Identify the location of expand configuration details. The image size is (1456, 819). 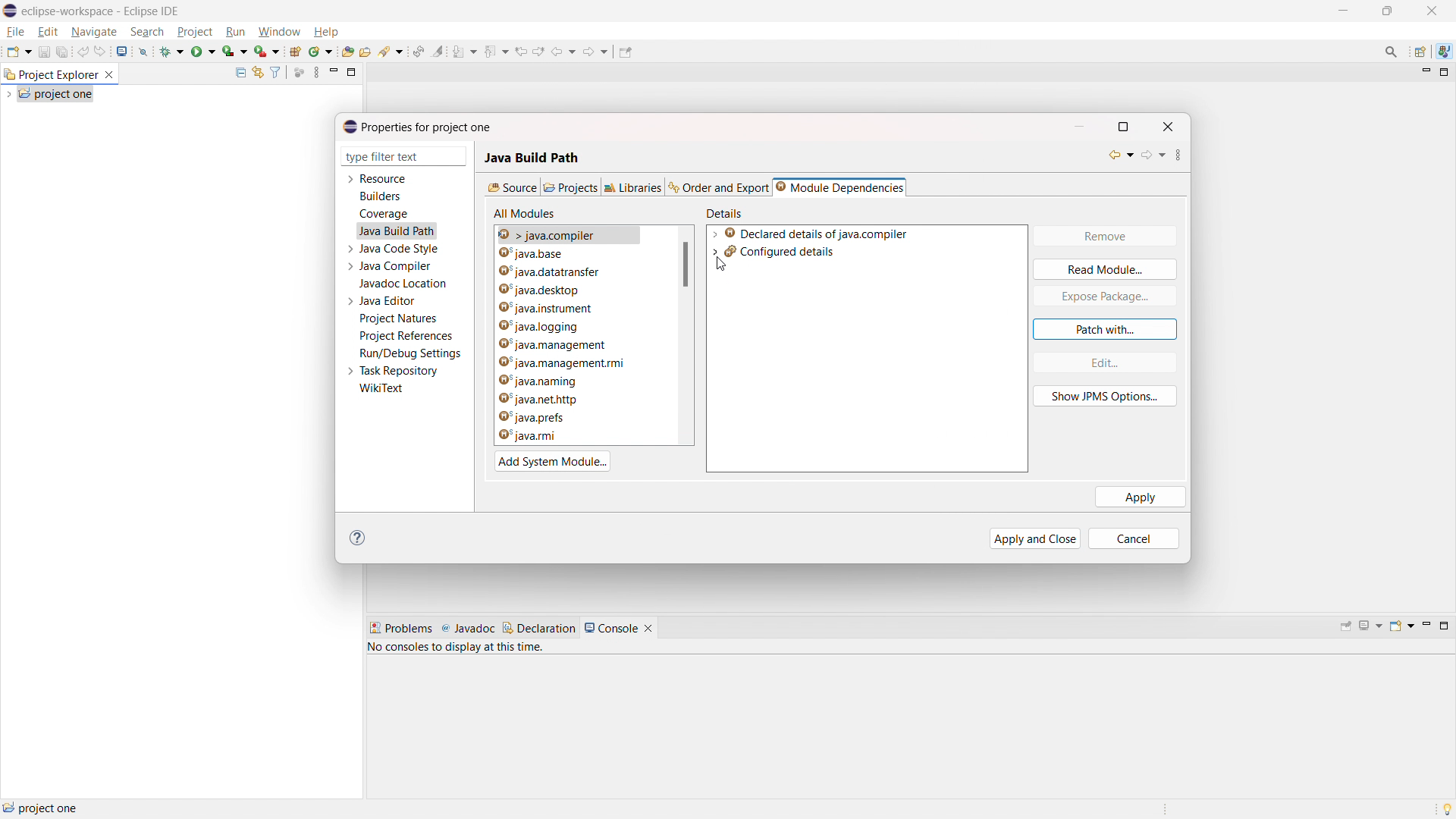
(715, 252).